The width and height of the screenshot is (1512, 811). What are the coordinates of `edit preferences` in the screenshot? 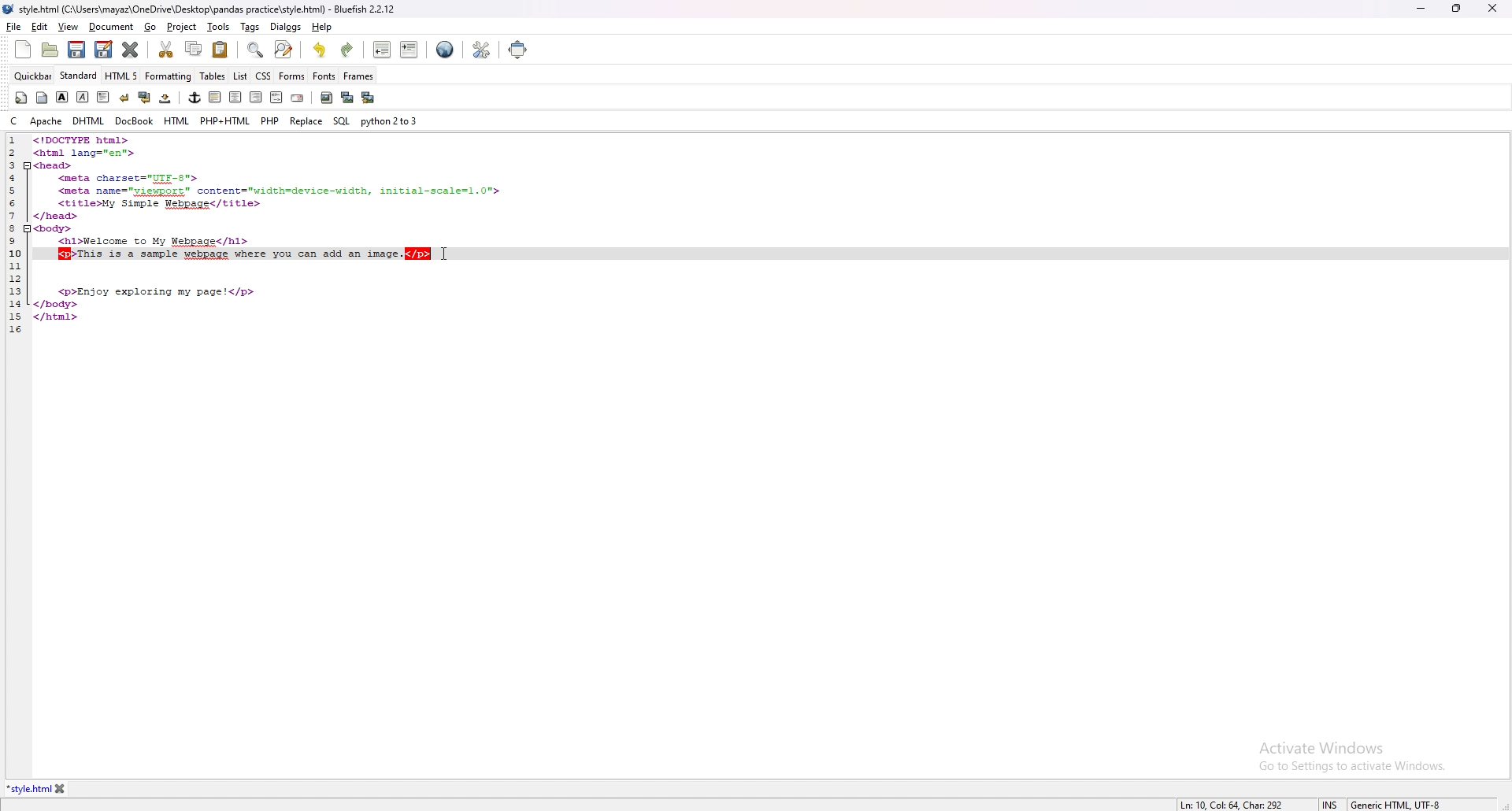 It's located at (481, 50).